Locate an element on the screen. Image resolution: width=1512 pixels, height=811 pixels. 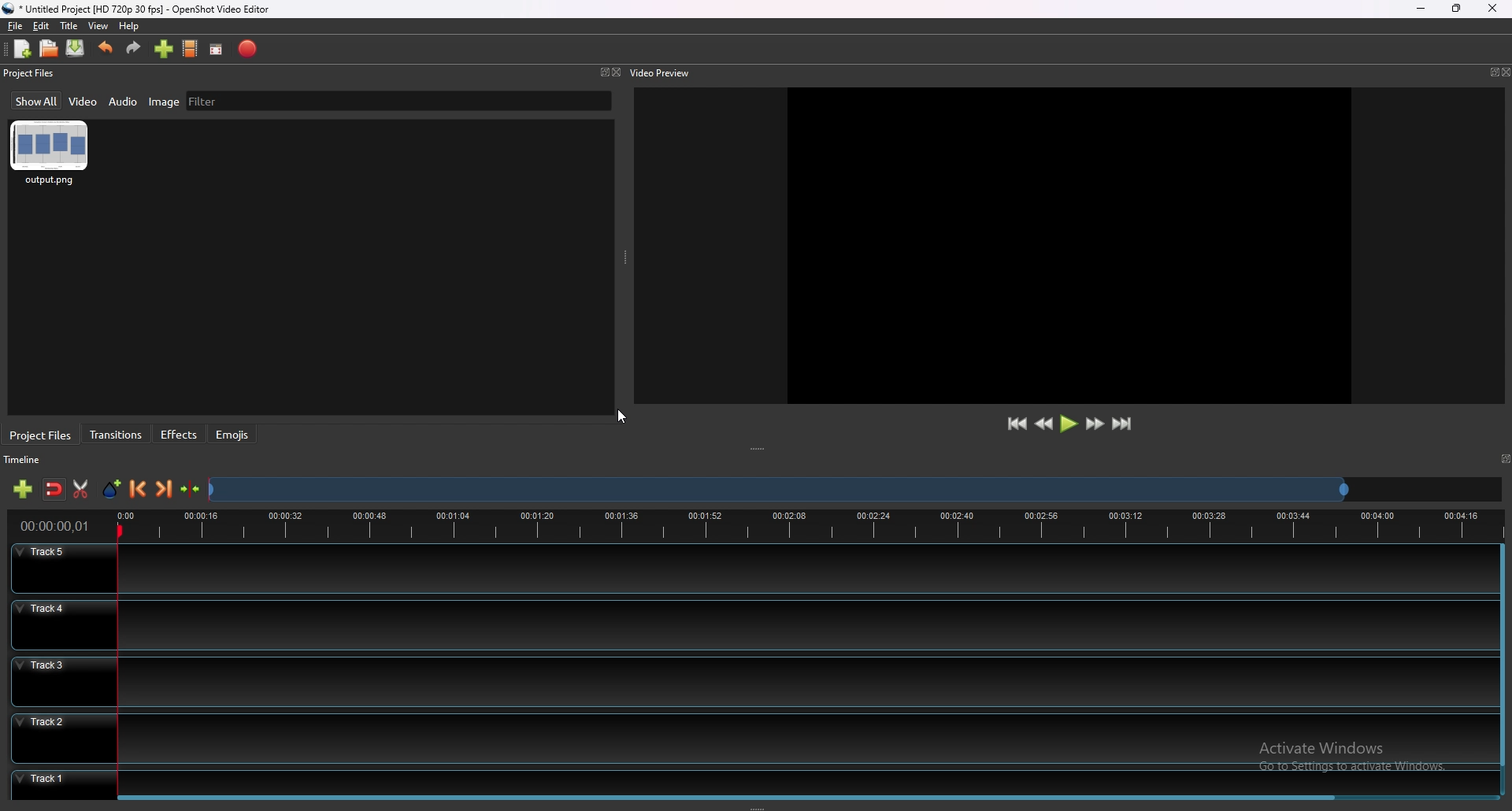
cursor is located at coordinates (623, 417).